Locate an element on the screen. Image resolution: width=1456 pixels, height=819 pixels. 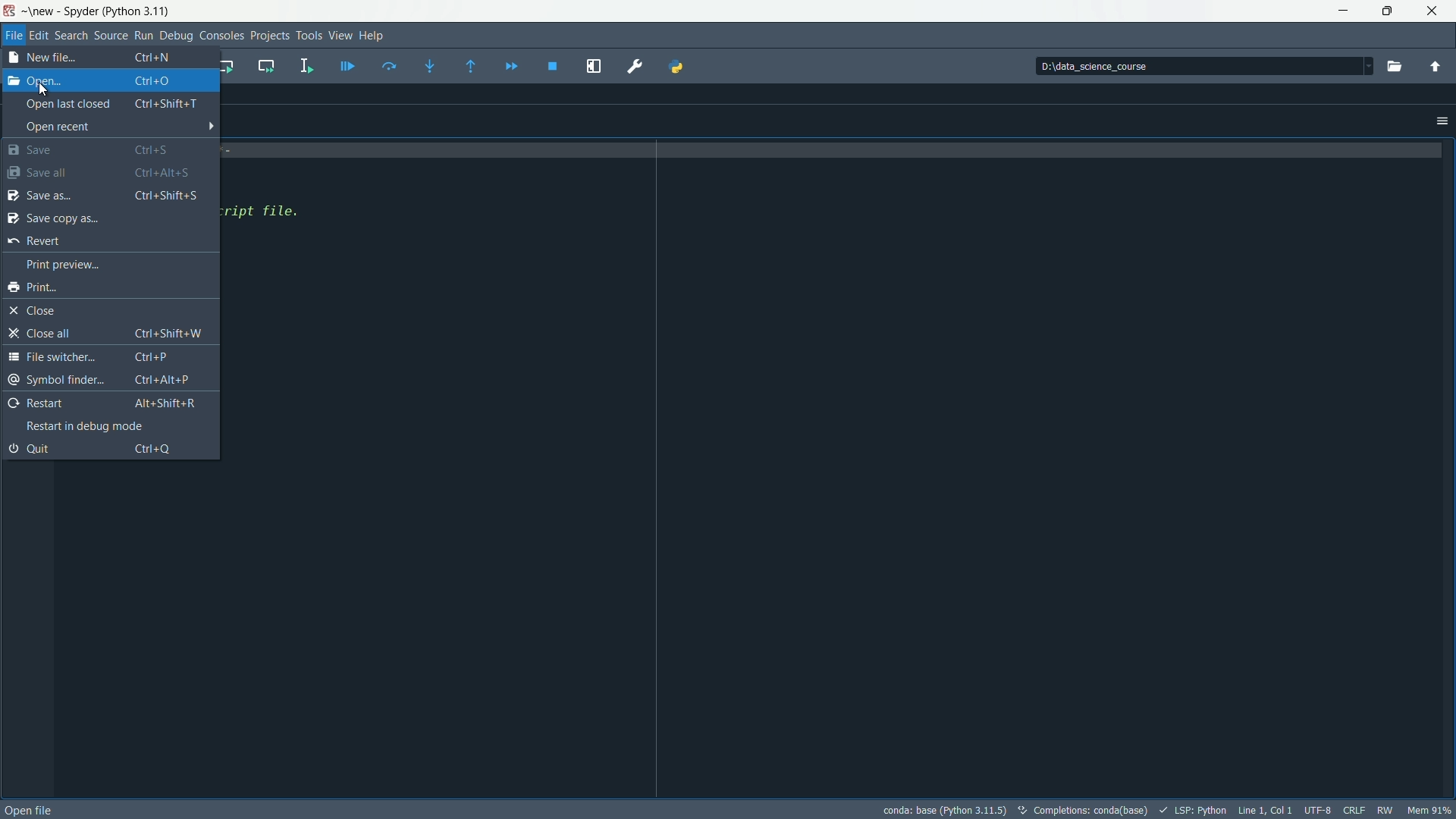
run selection or current line is located at coordinates (310, 64).